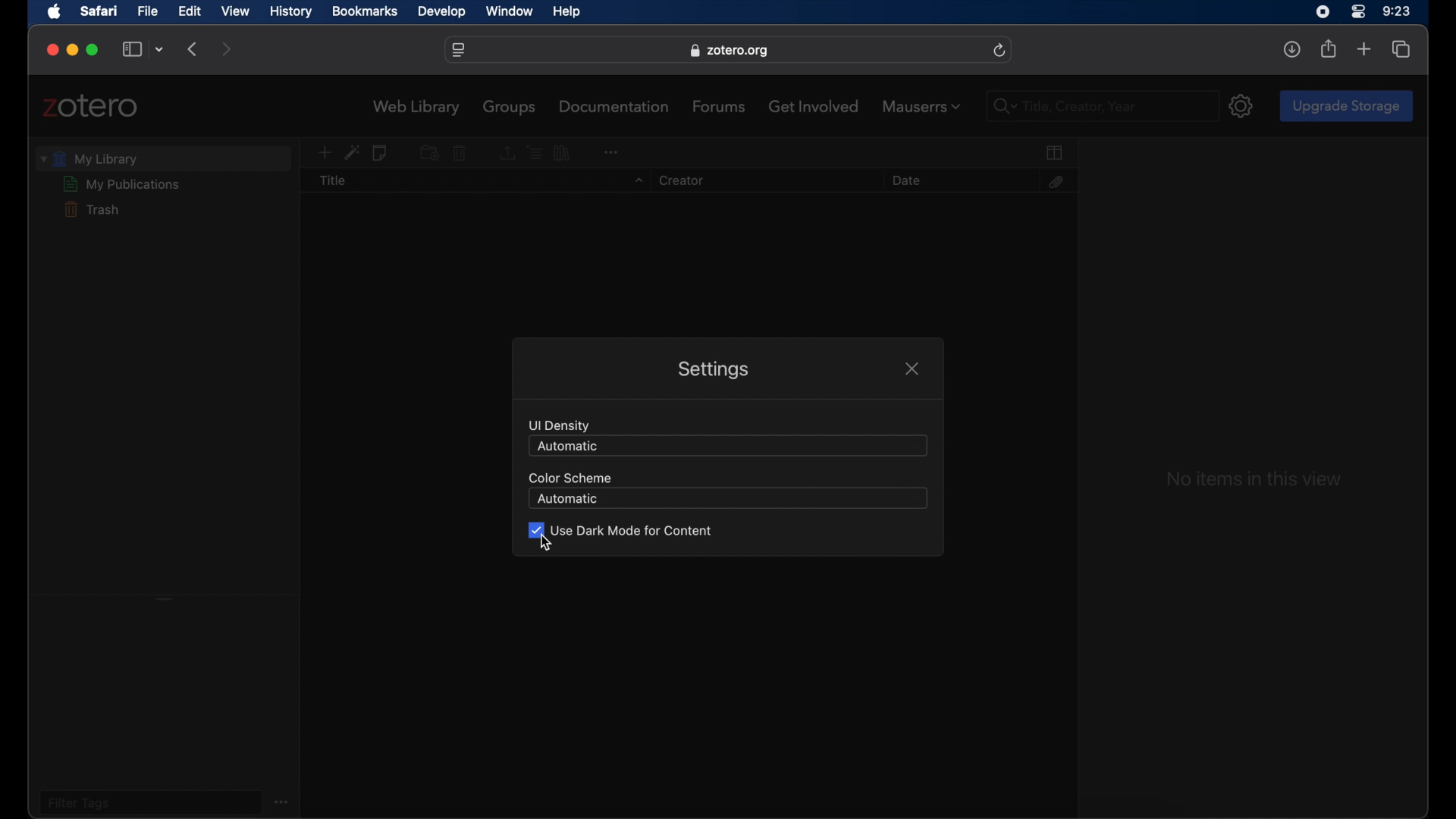 This screenshot has height=819, width=1456. I want to click on forums, so click(720, 106).